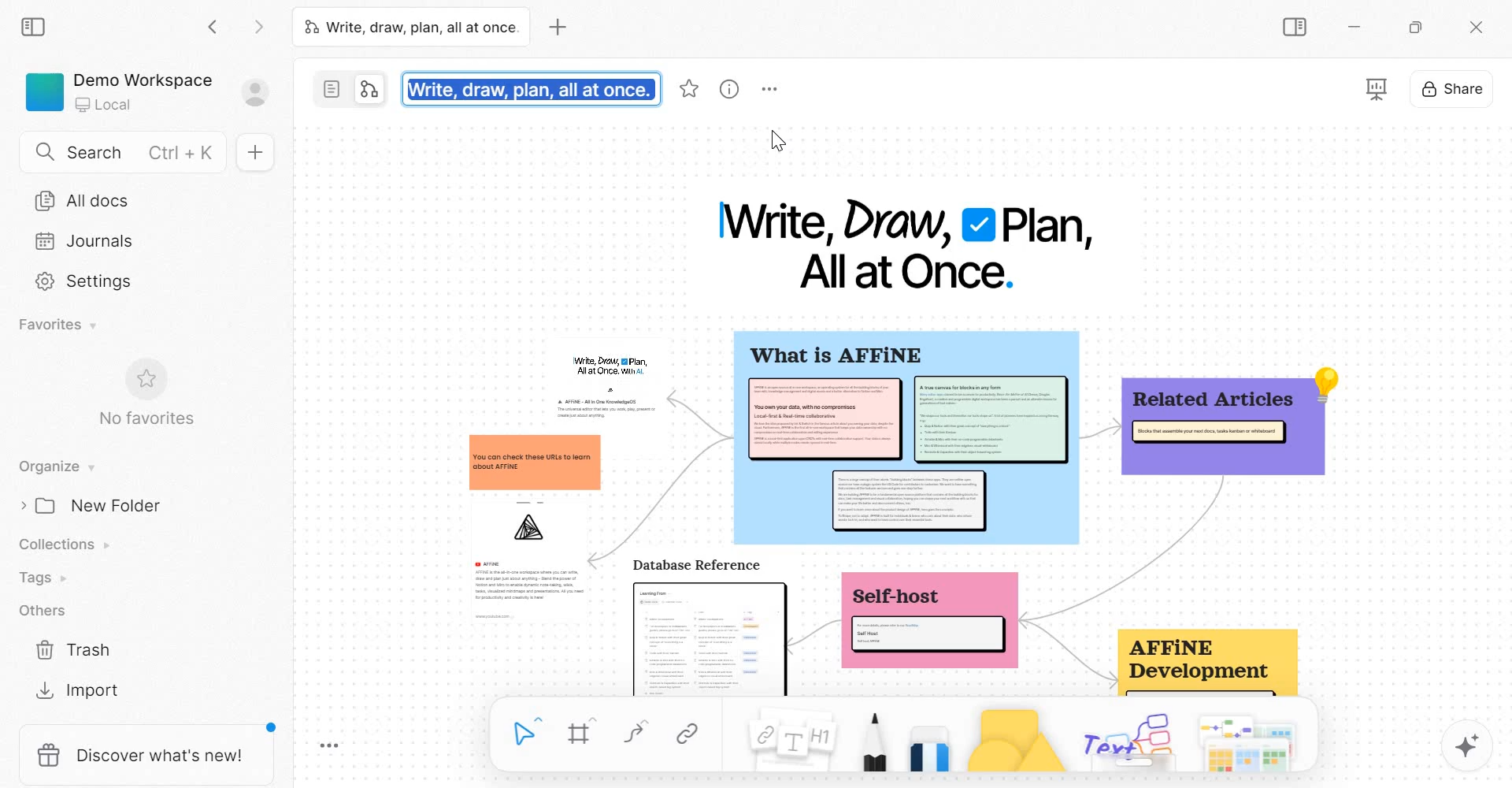 This screenshot has width=1512, height=788. What do you see at coordinates (34, 28) in the screenshot?
I see `collapse sidebar` at bounding box center [34, 28].